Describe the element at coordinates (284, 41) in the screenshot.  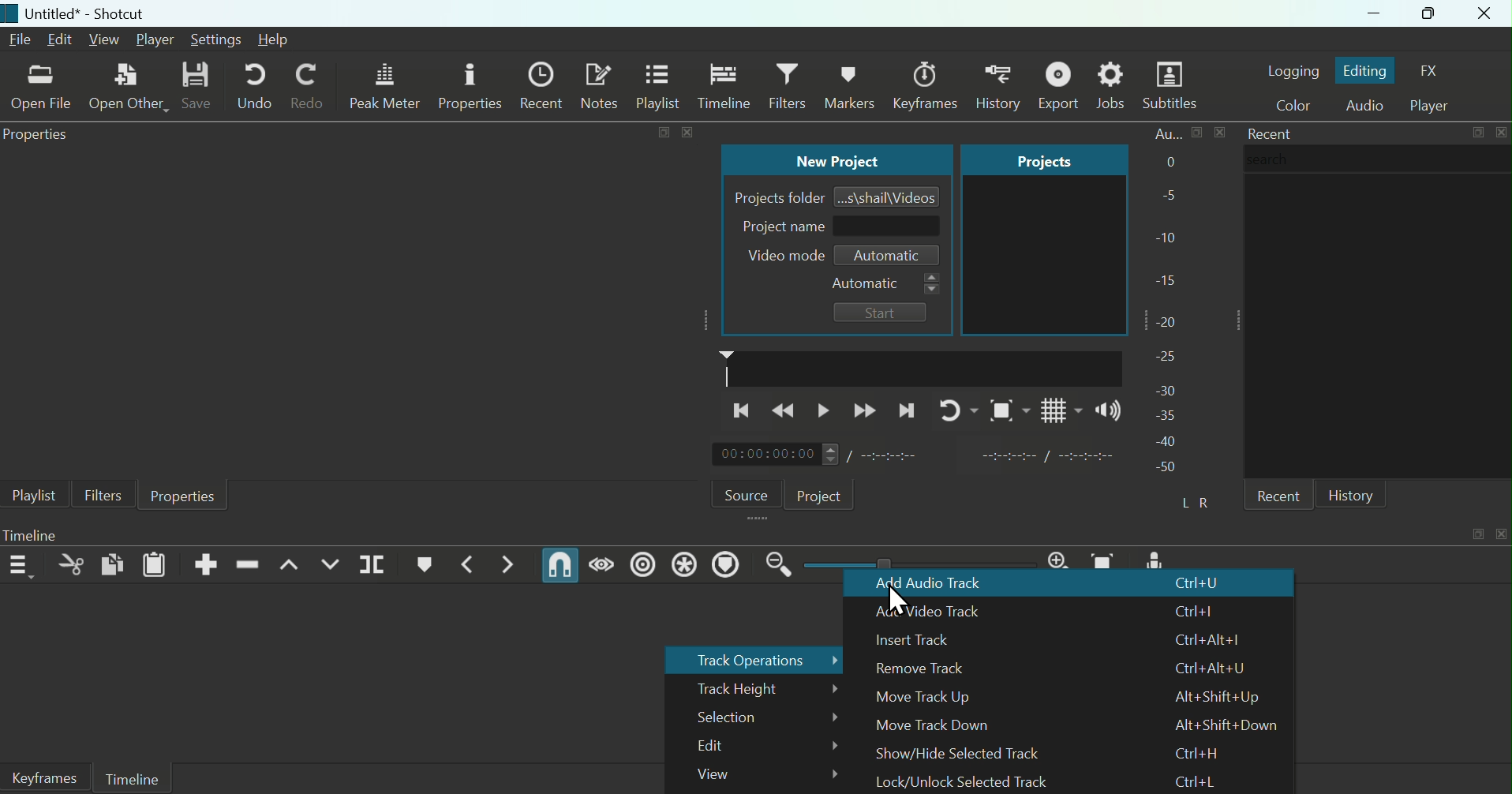
I see `Help` at that location.